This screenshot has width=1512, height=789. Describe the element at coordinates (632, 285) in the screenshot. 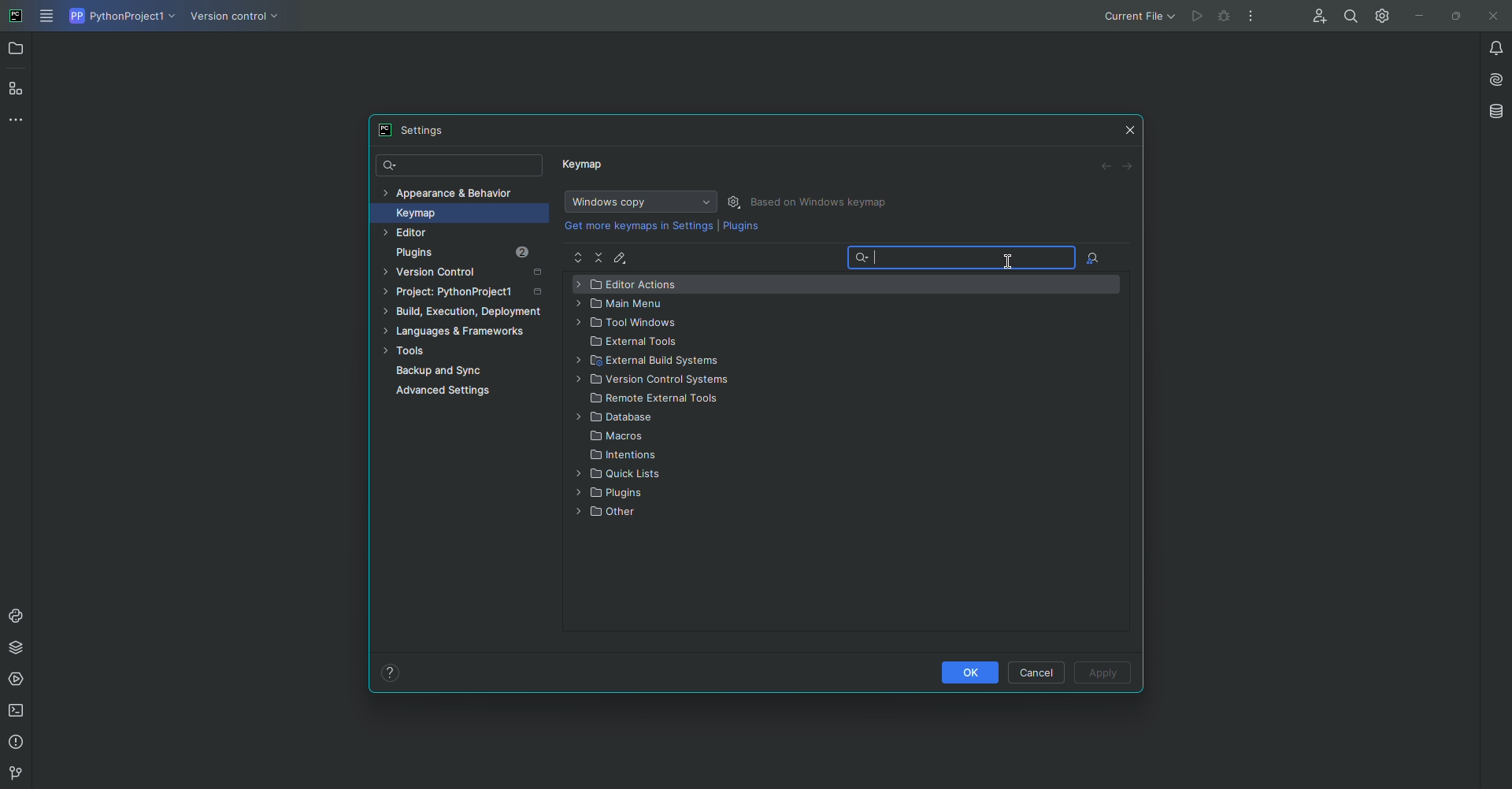

I see `Editor Actions` at that location.